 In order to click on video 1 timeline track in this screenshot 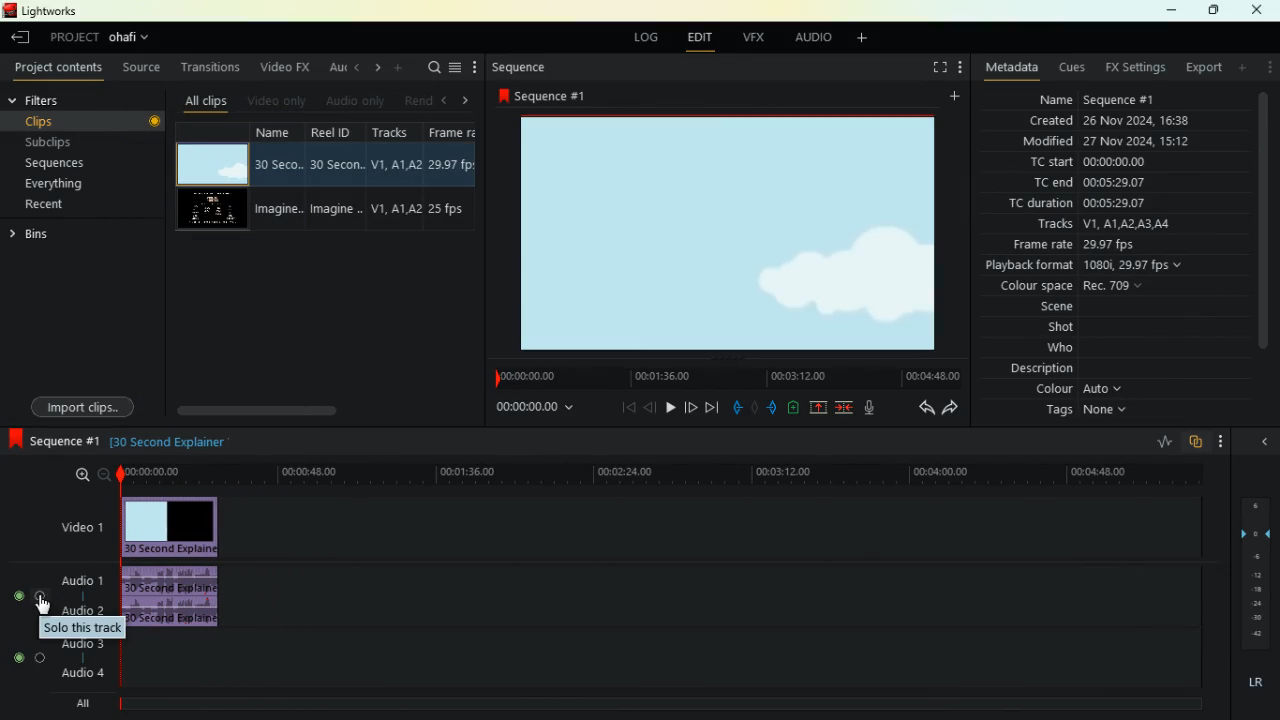, I will do `click(716, 527)`.